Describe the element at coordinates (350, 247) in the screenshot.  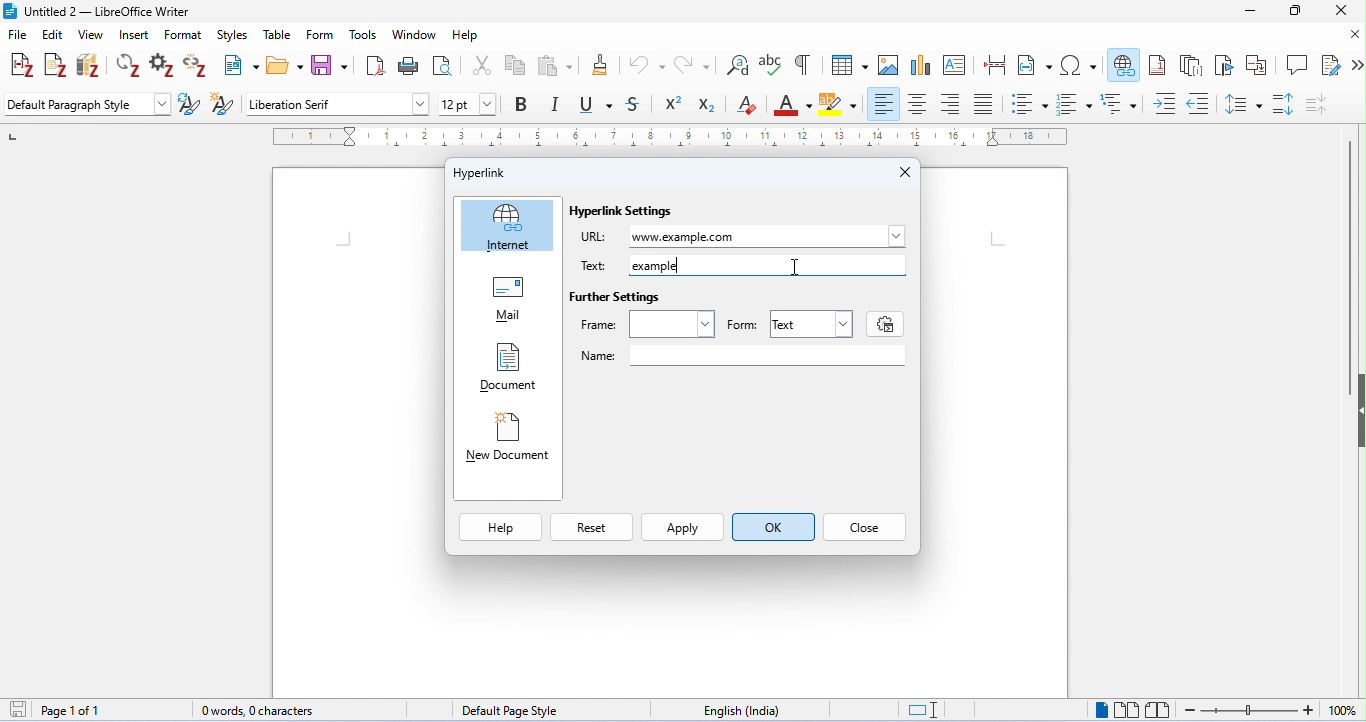
I see `typing cursor` at that location.